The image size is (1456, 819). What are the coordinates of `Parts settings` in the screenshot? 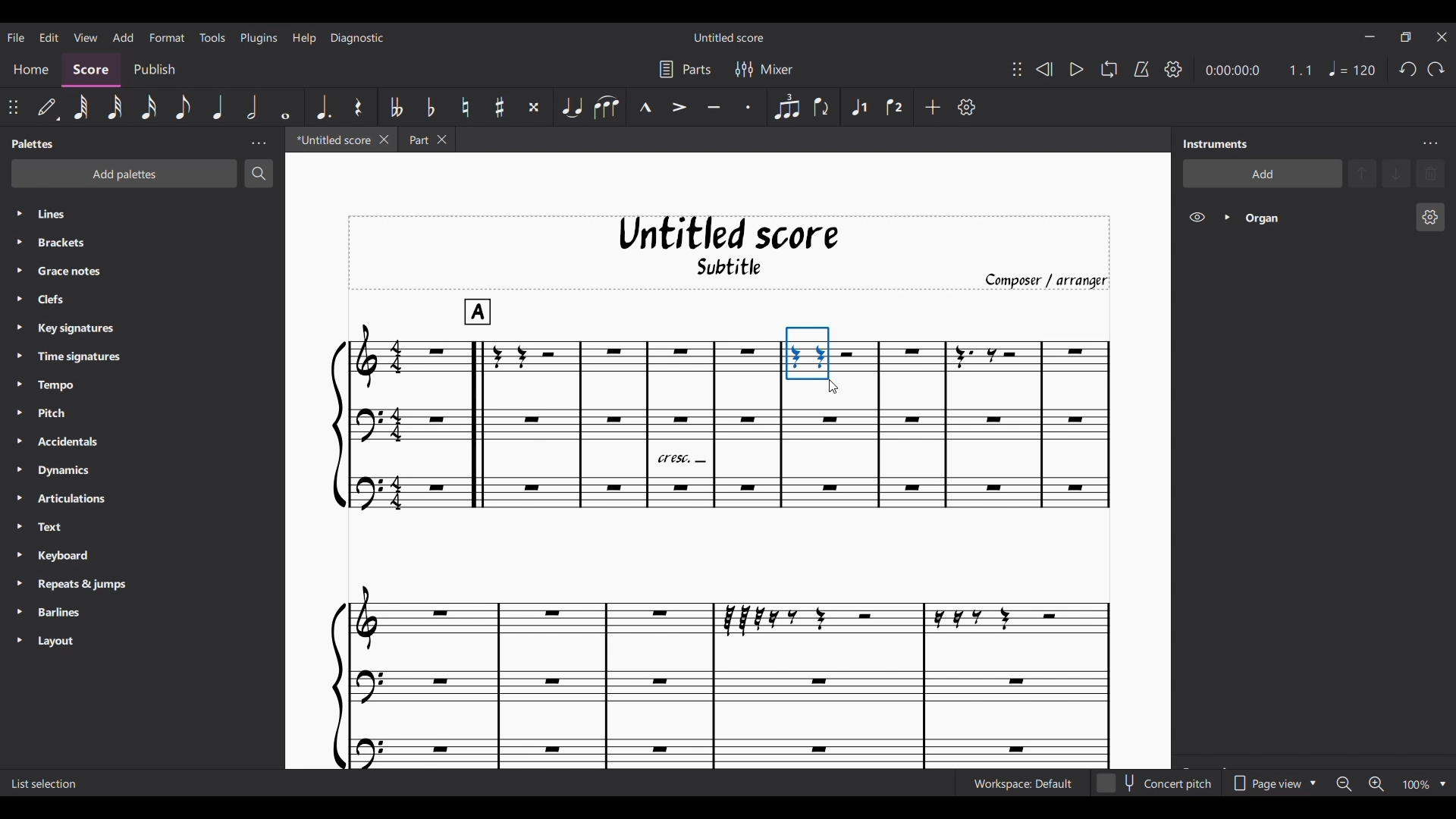 It's located at (685, 70).